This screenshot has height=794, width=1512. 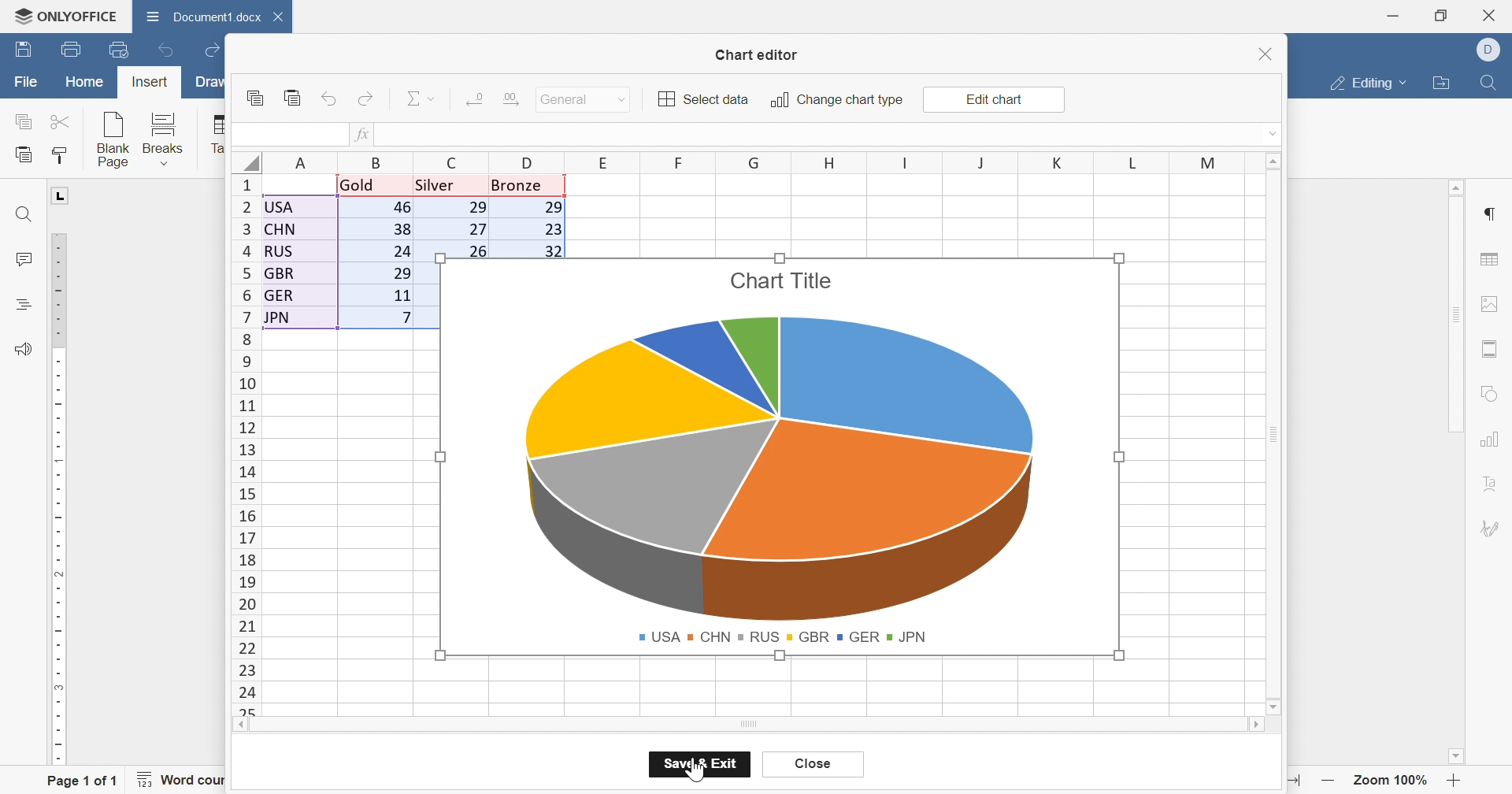 What do you see at coordinates (1493, 257) in the screenshot?
I see `Table settings` at bounding box center [1493, 257].